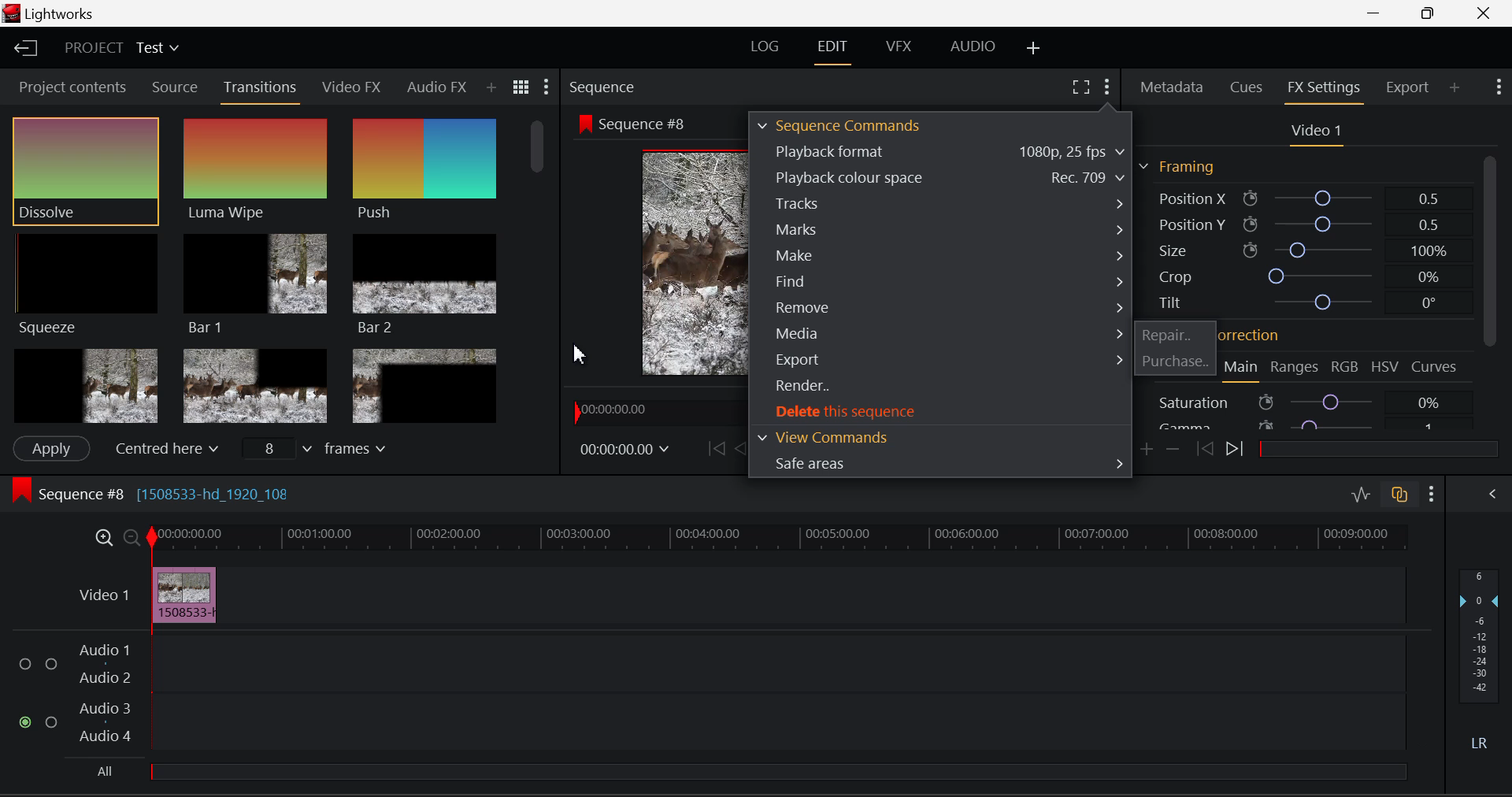 The height and width of the screenshot is (797, 1512). What do you see at coordinates (1032, 48) in the screenshot?
I see `Add Layout` at bounding box center [1032, 48].